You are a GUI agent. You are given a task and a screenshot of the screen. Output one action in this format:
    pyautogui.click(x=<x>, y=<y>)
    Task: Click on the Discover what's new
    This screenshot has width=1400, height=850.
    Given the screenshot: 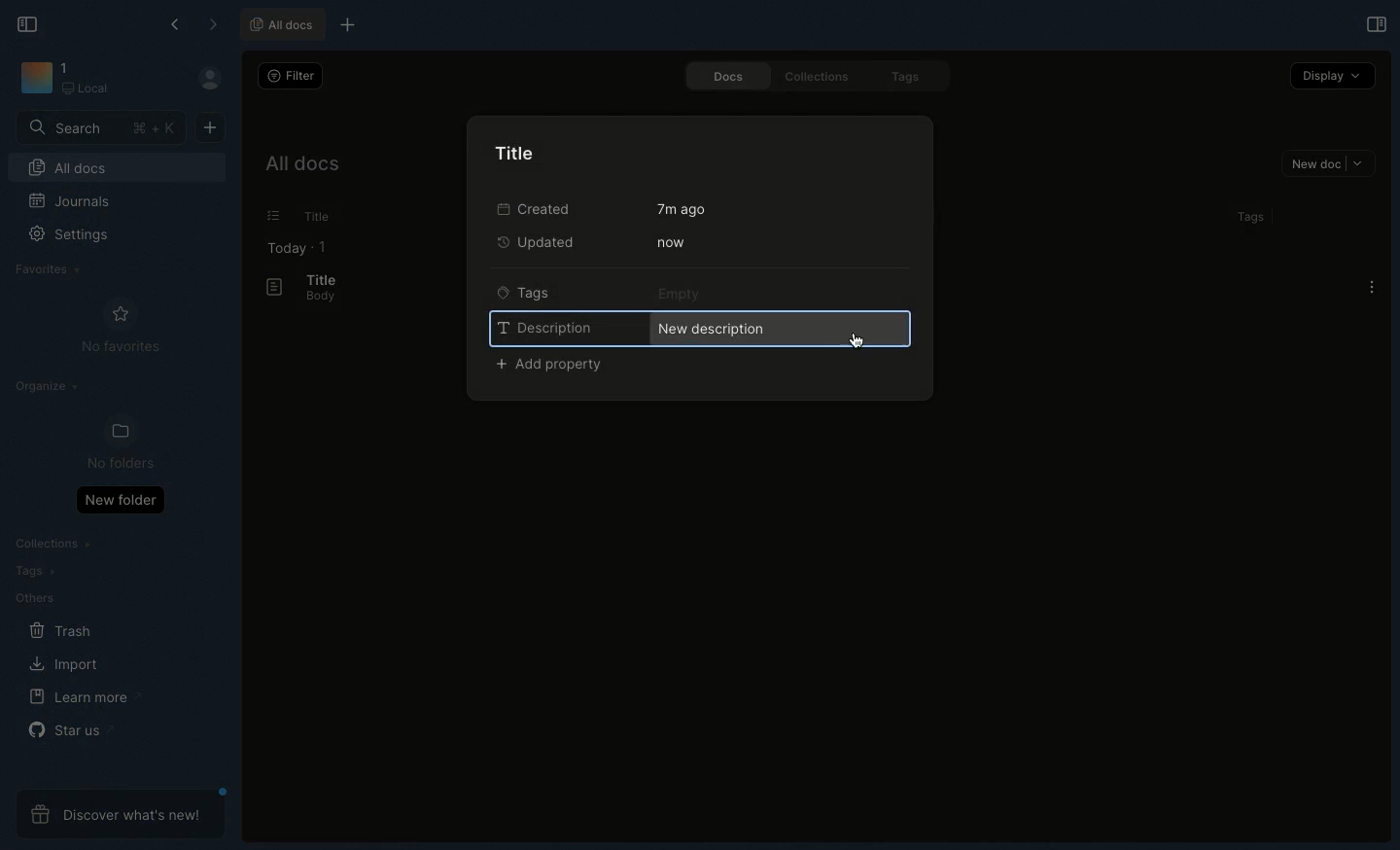 What is the action you would take?
    pyautogui.click(x=121, y=814)
    